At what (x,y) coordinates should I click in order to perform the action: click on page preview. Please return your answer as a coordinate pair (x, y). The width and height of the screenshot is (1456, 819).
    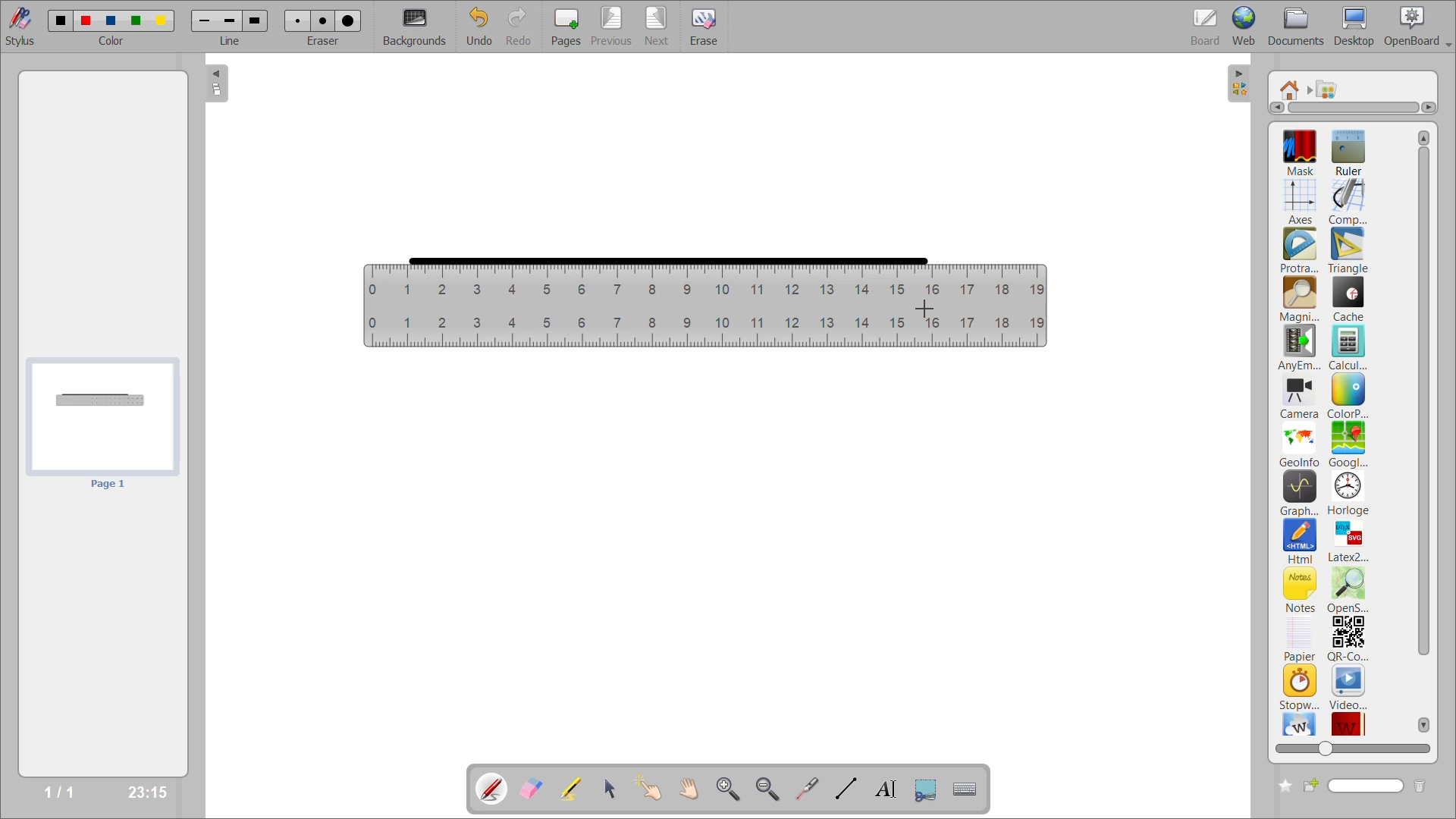
    Looking at the image, I should click on (100, 425).